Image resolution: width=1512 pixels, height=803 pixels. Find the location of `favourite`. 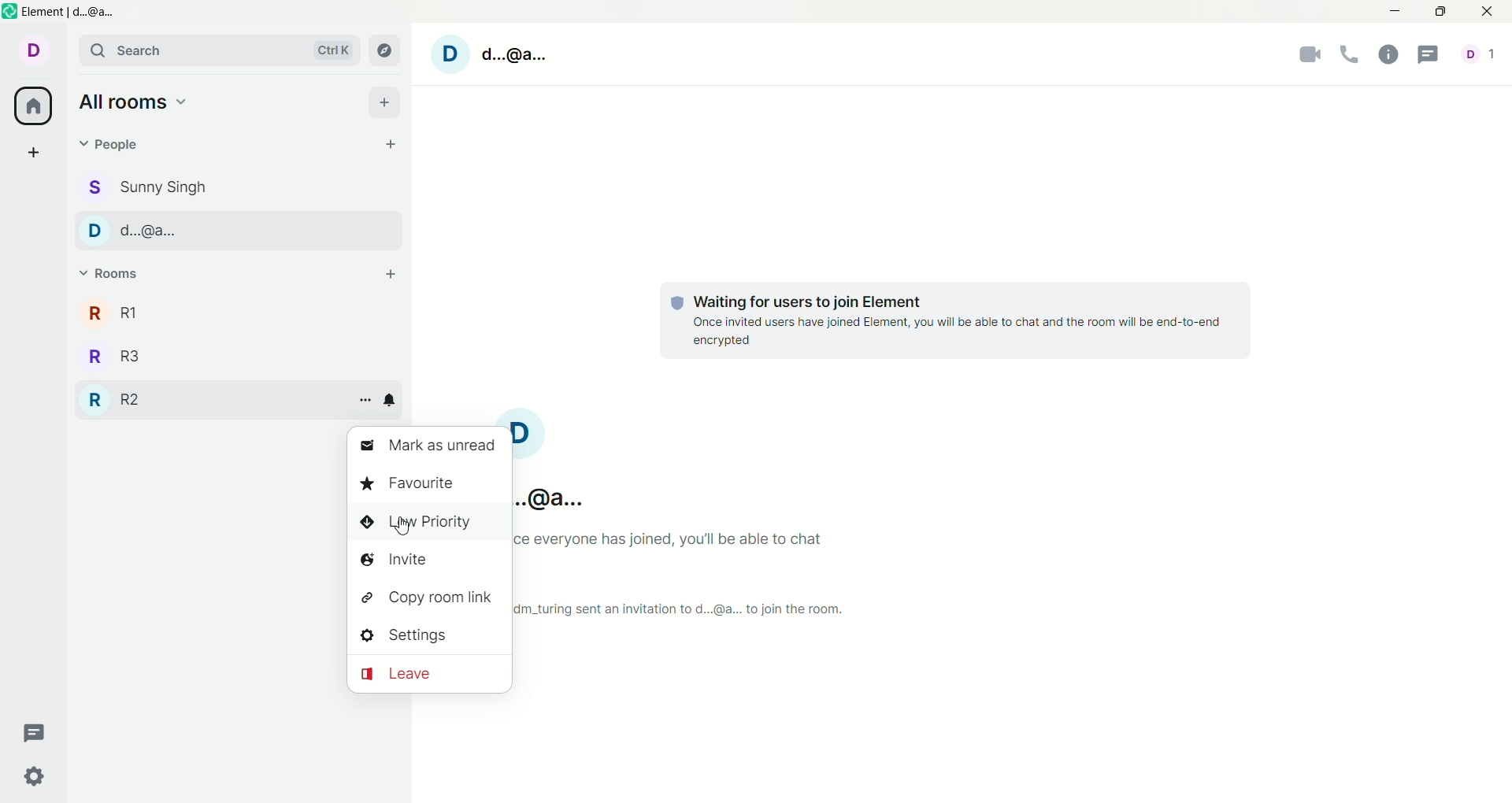

favourite is located at coordinates (408, 484).